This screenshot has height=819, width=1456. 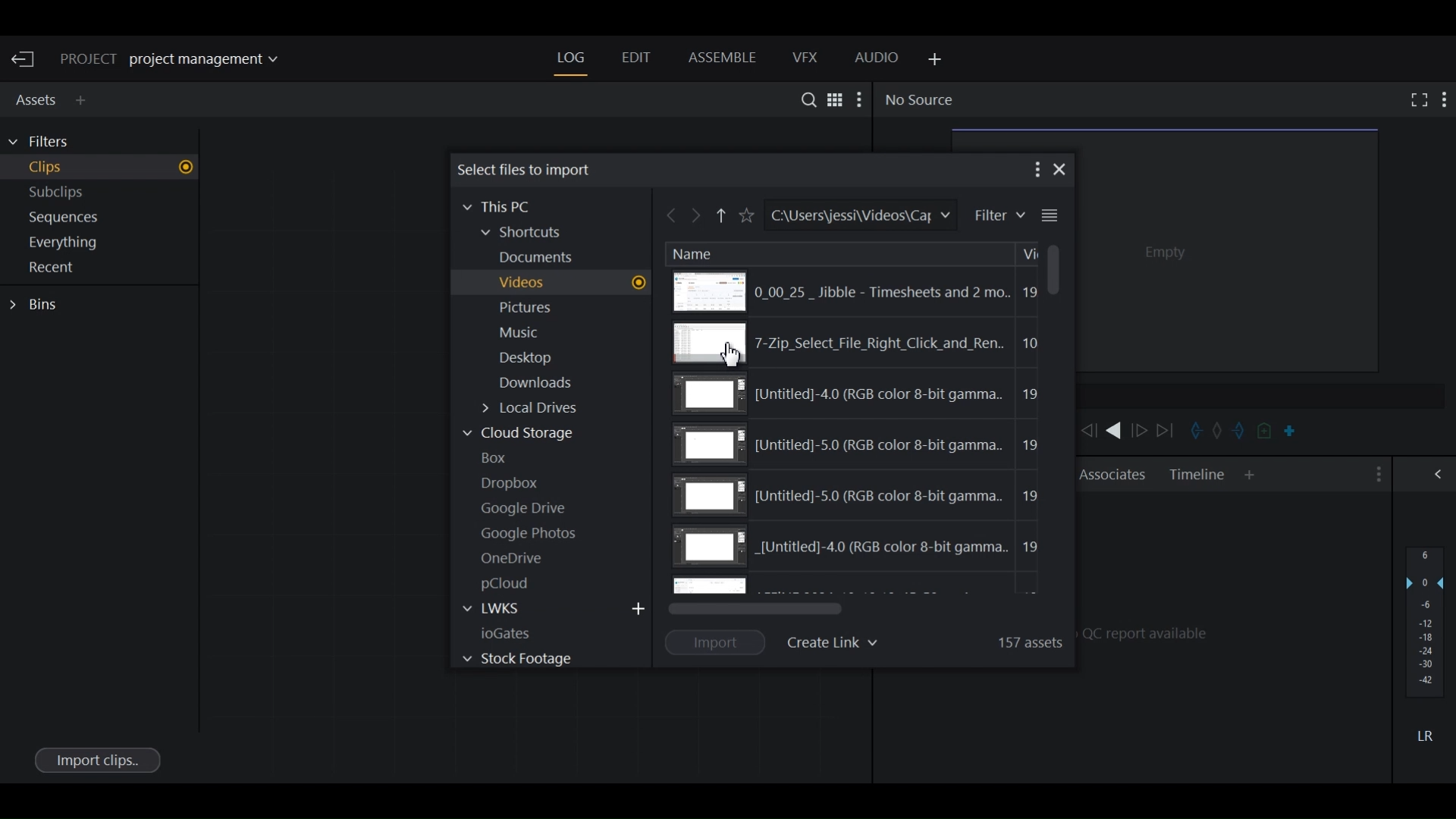 I want to click on Google Drives, so click(x=526, y=508).